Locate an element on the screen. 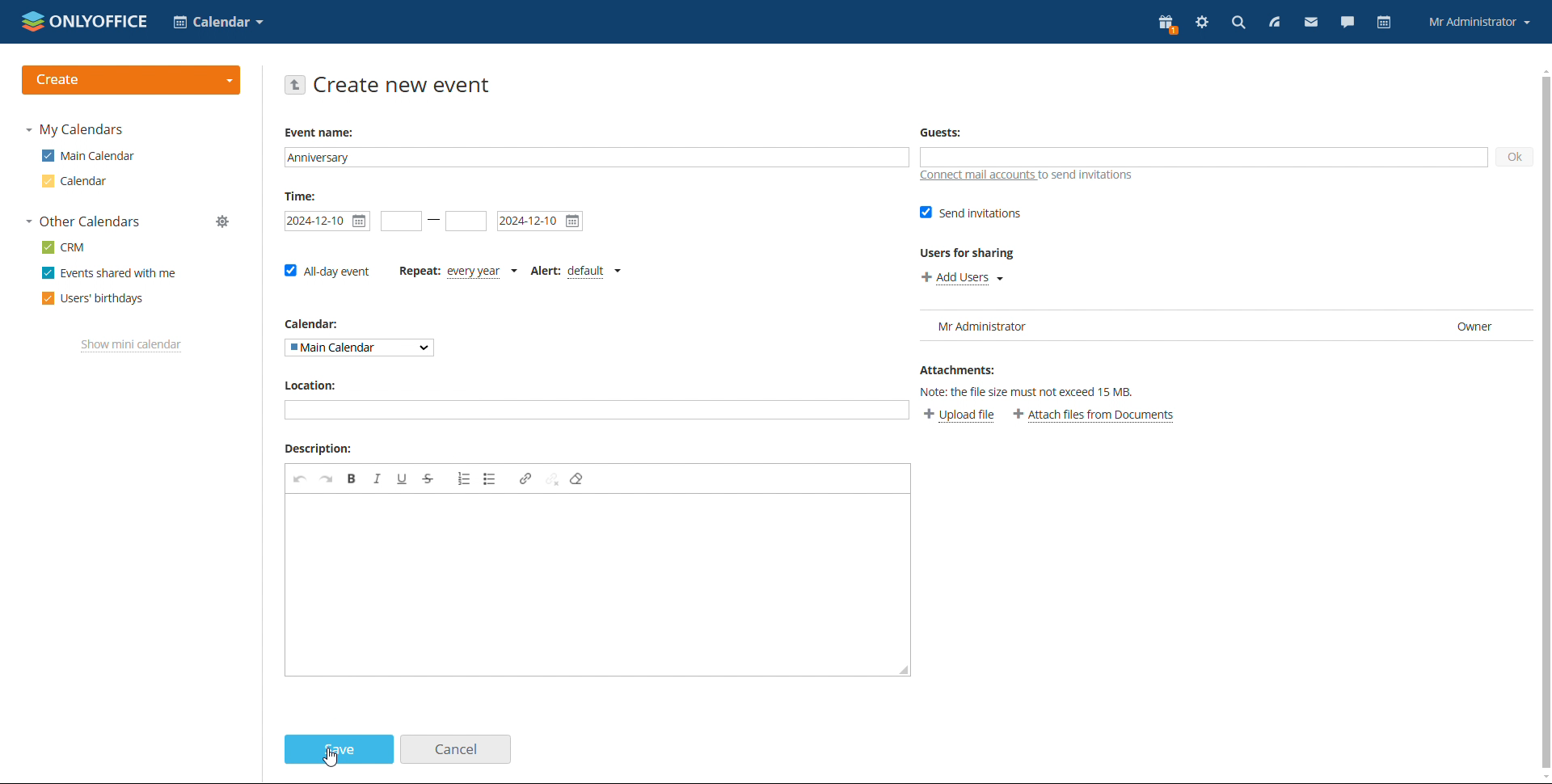 This screenshot has height=784, width=1552. start date is located at coordinates (401, 221).